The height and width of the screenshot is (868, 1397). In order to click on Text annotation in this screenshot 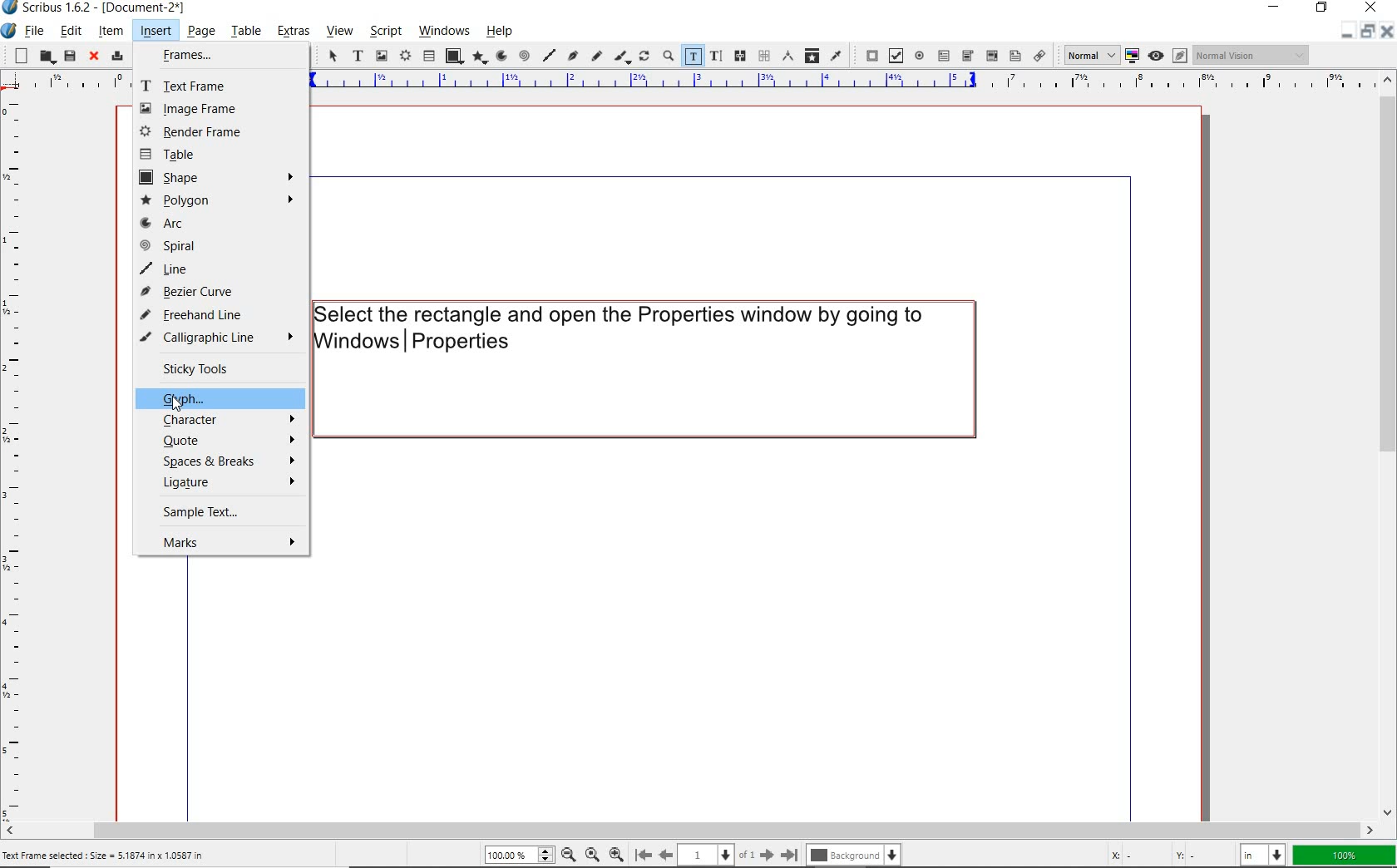, I will do `click(1014, 57)`.